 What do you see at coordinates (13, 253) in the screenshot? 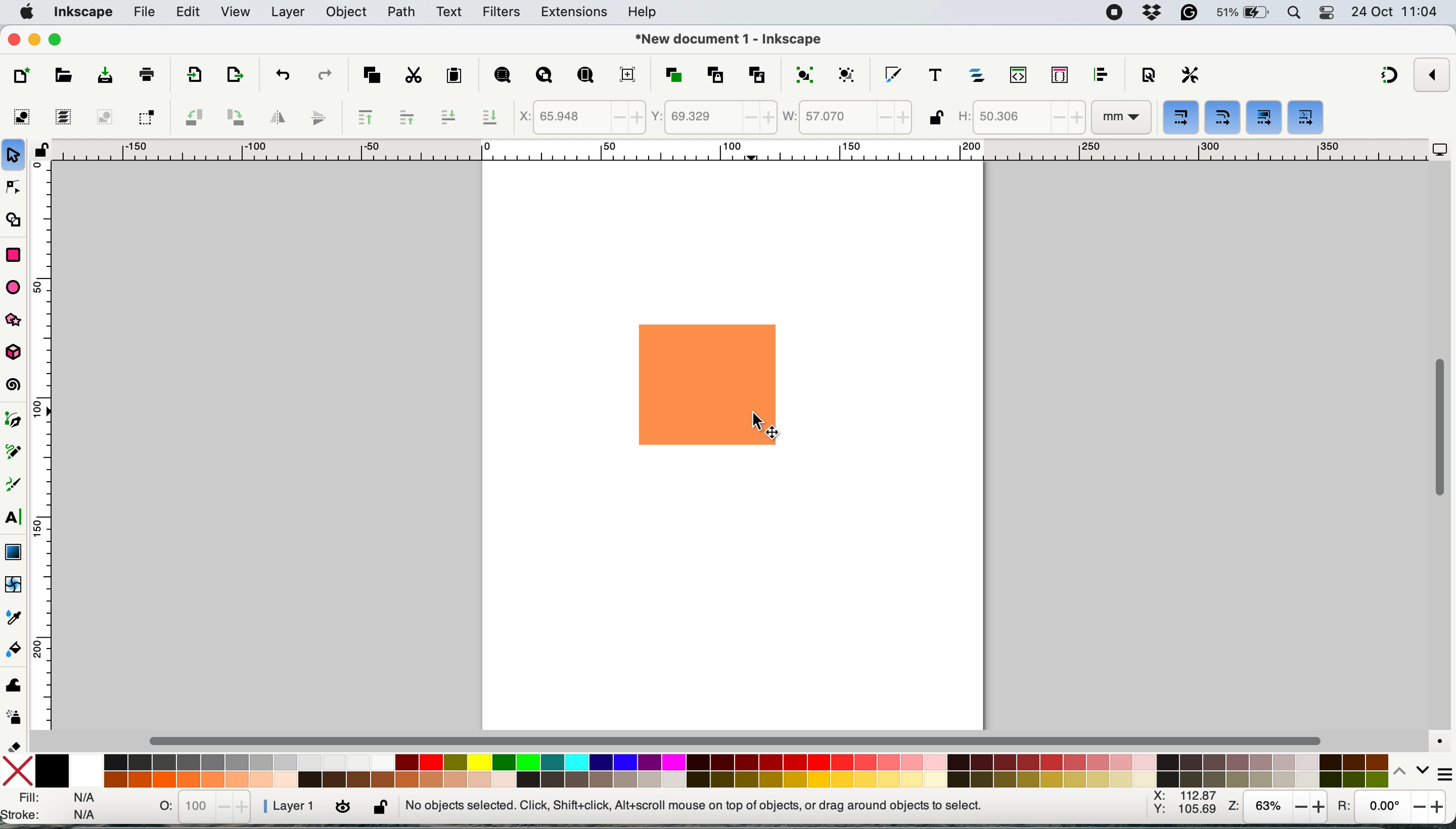
I see `rectangle tool` at bounding box center [13, 253].